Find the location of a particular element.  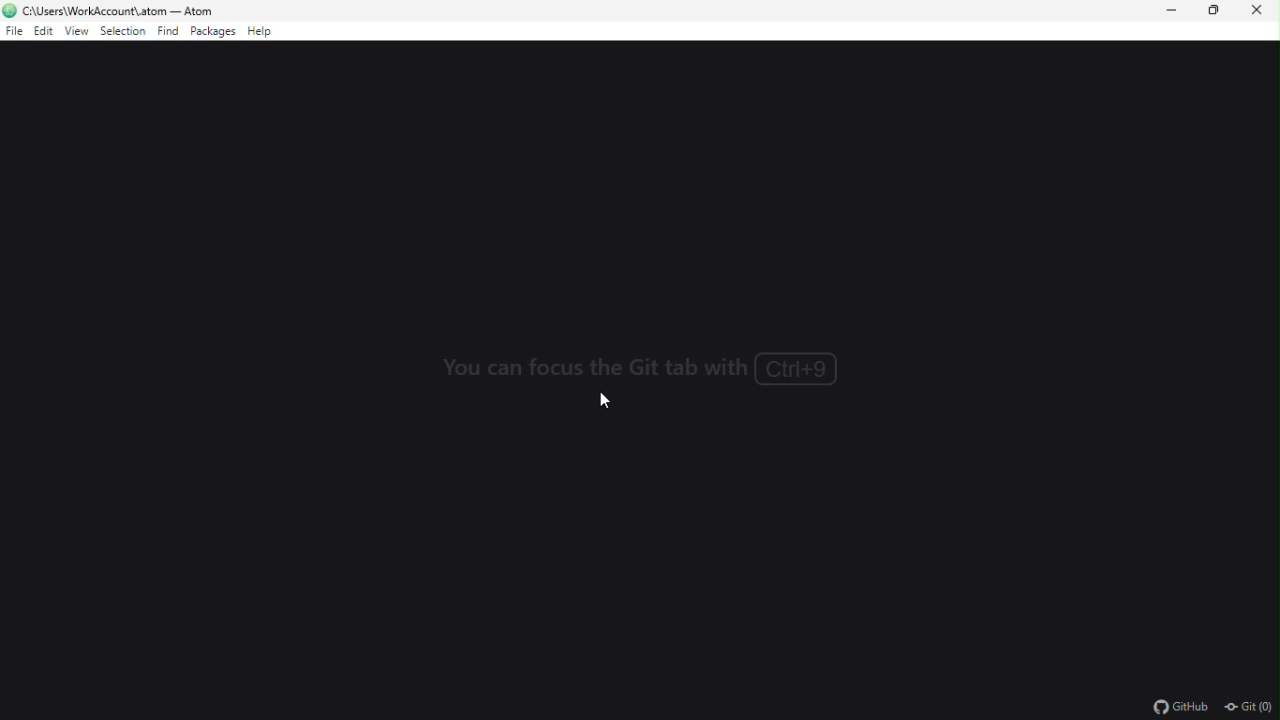

minimize is located at coordinates (1171, 13).